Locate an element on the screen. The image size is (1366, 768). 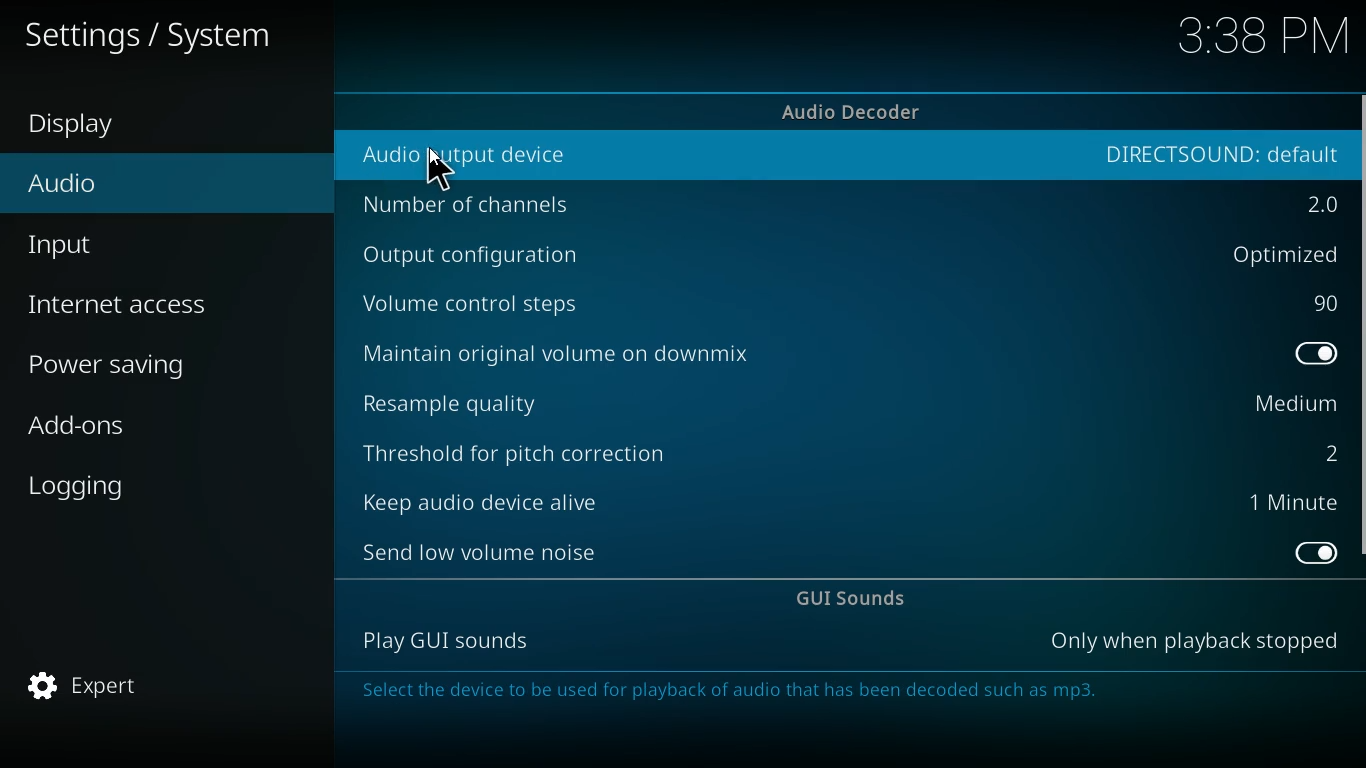
threshold for pitch correction is located at coordinates (528, 447).